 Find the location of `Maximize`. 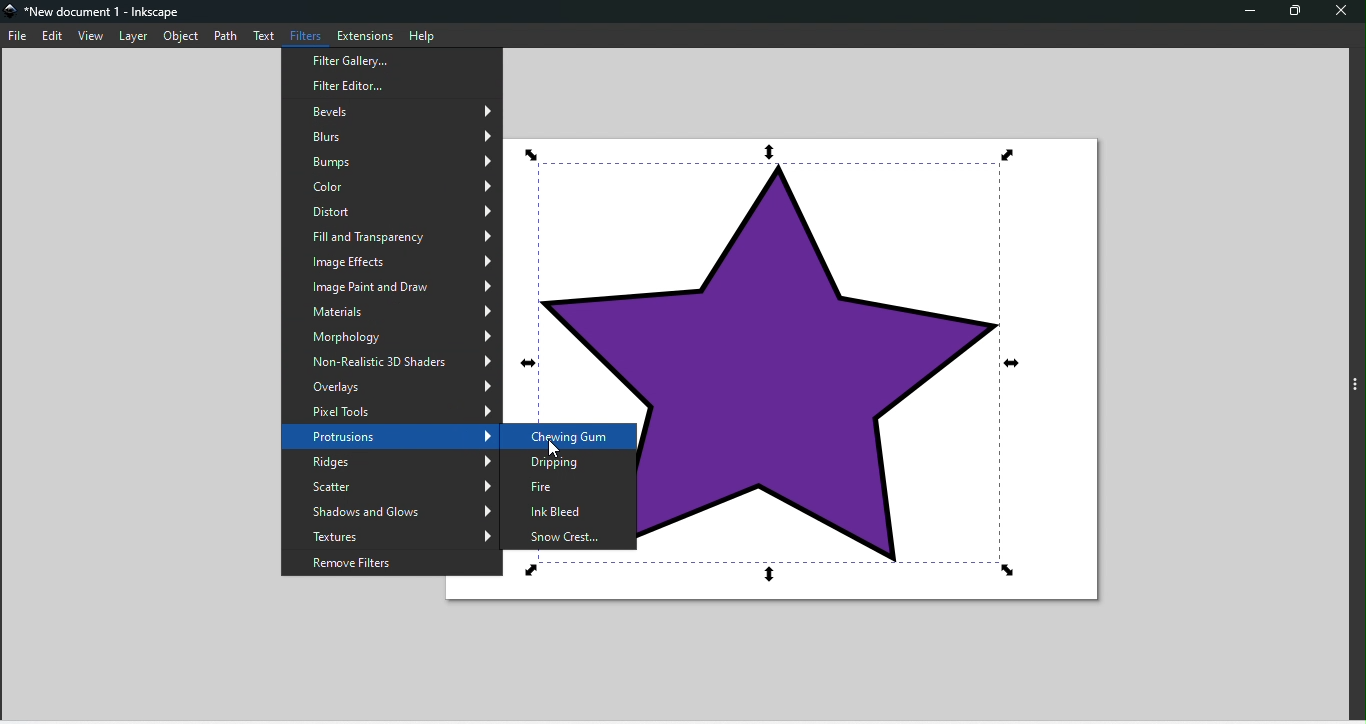

Maximize is located at coordinates (1289, 11).